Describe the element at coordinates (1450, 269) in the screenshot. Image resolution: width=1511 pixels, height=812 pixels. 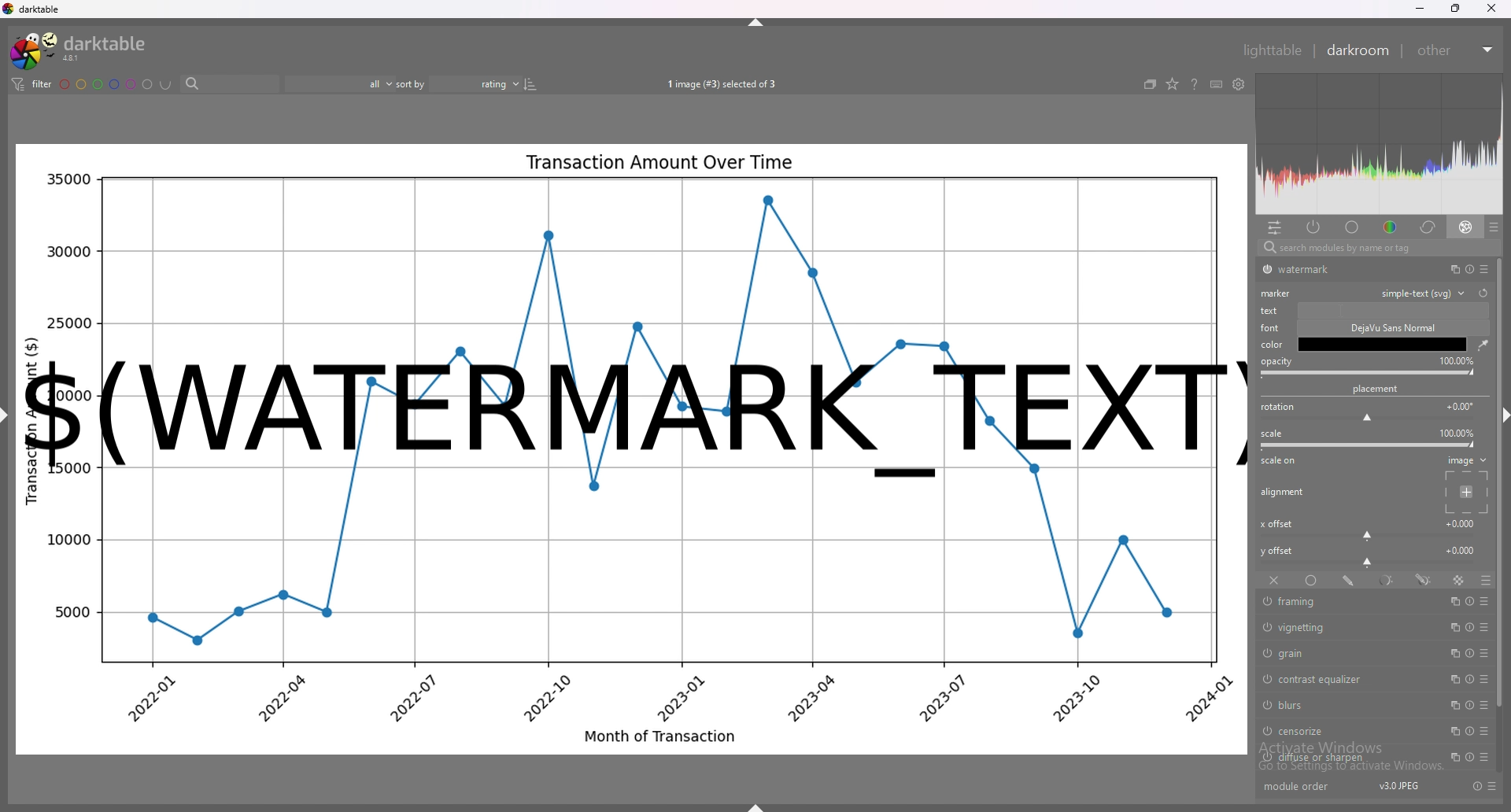
I see `multiple instances action` at that location.